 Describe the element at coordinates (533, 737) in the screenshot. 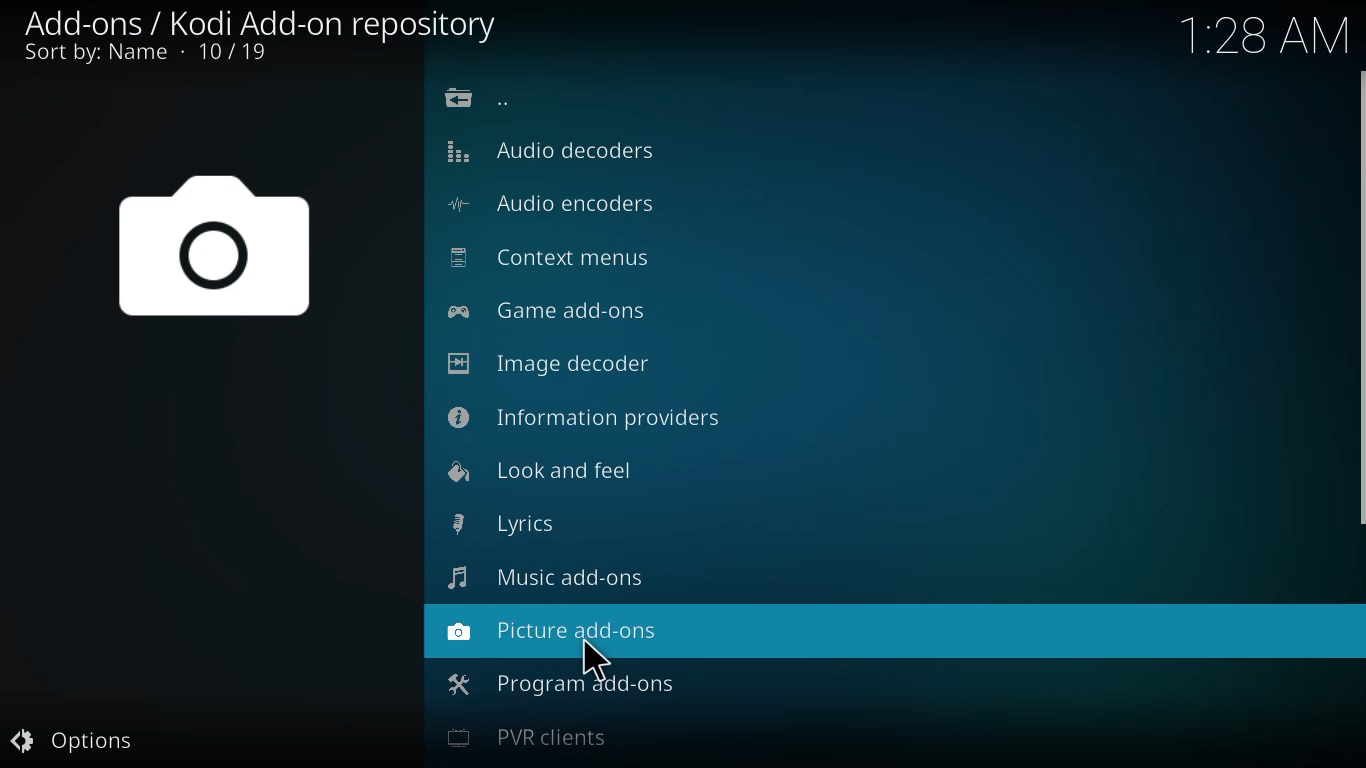

I see `pvr clients` at that location.